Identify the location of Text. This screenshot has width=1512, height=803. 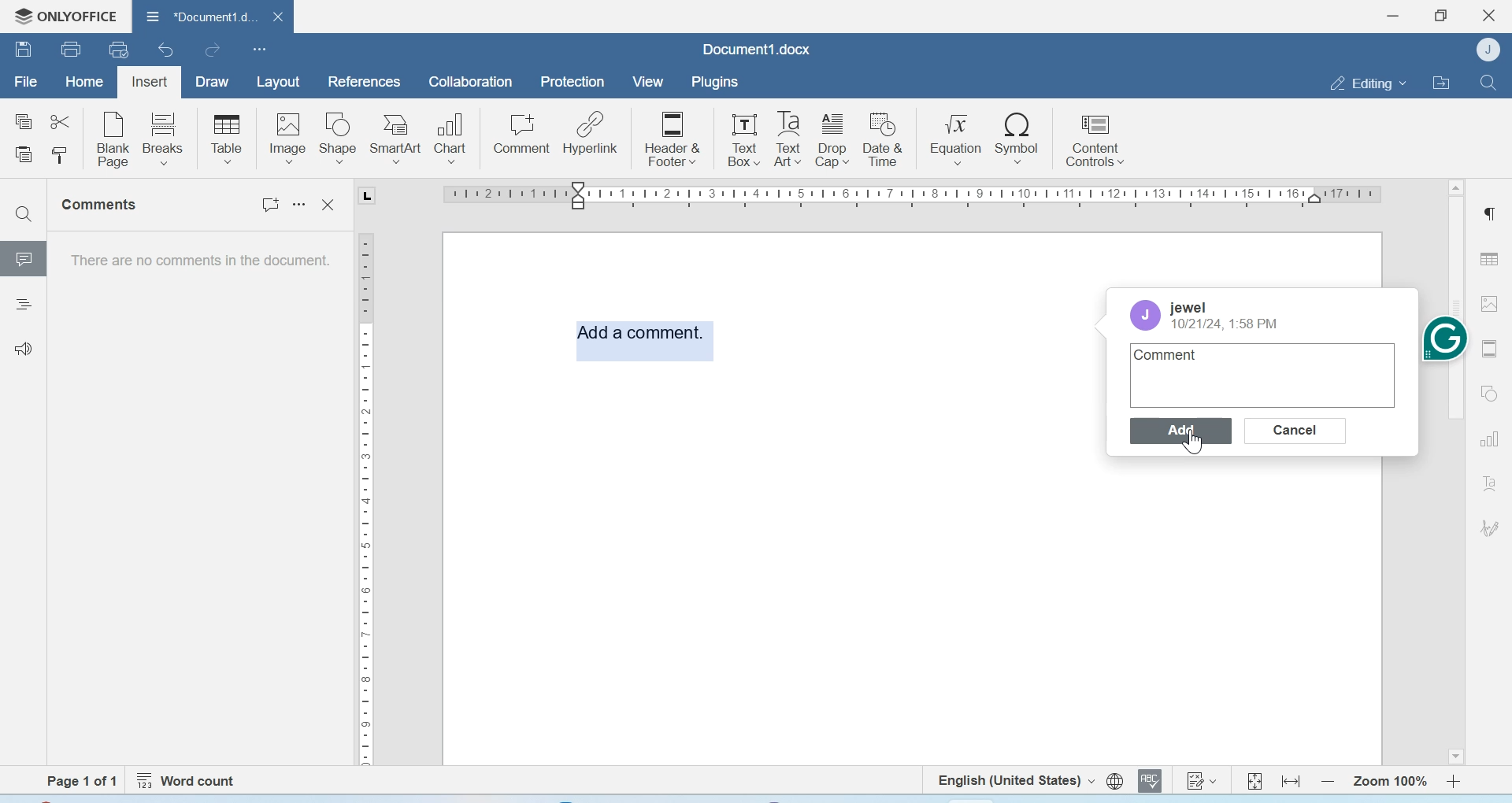
(1490, 483).